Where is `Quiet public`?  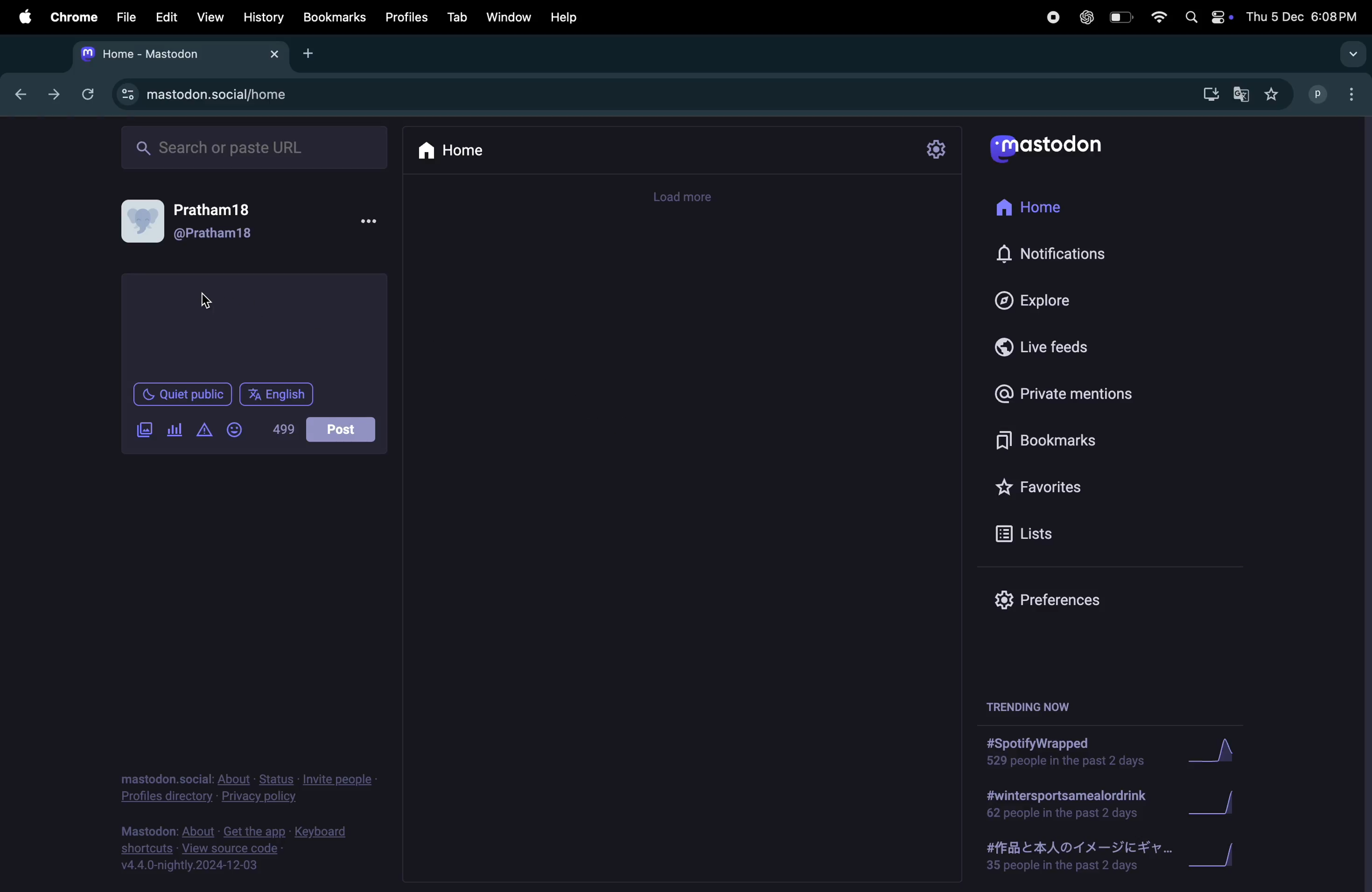
Quiet public is located at coordinates (181, 394).